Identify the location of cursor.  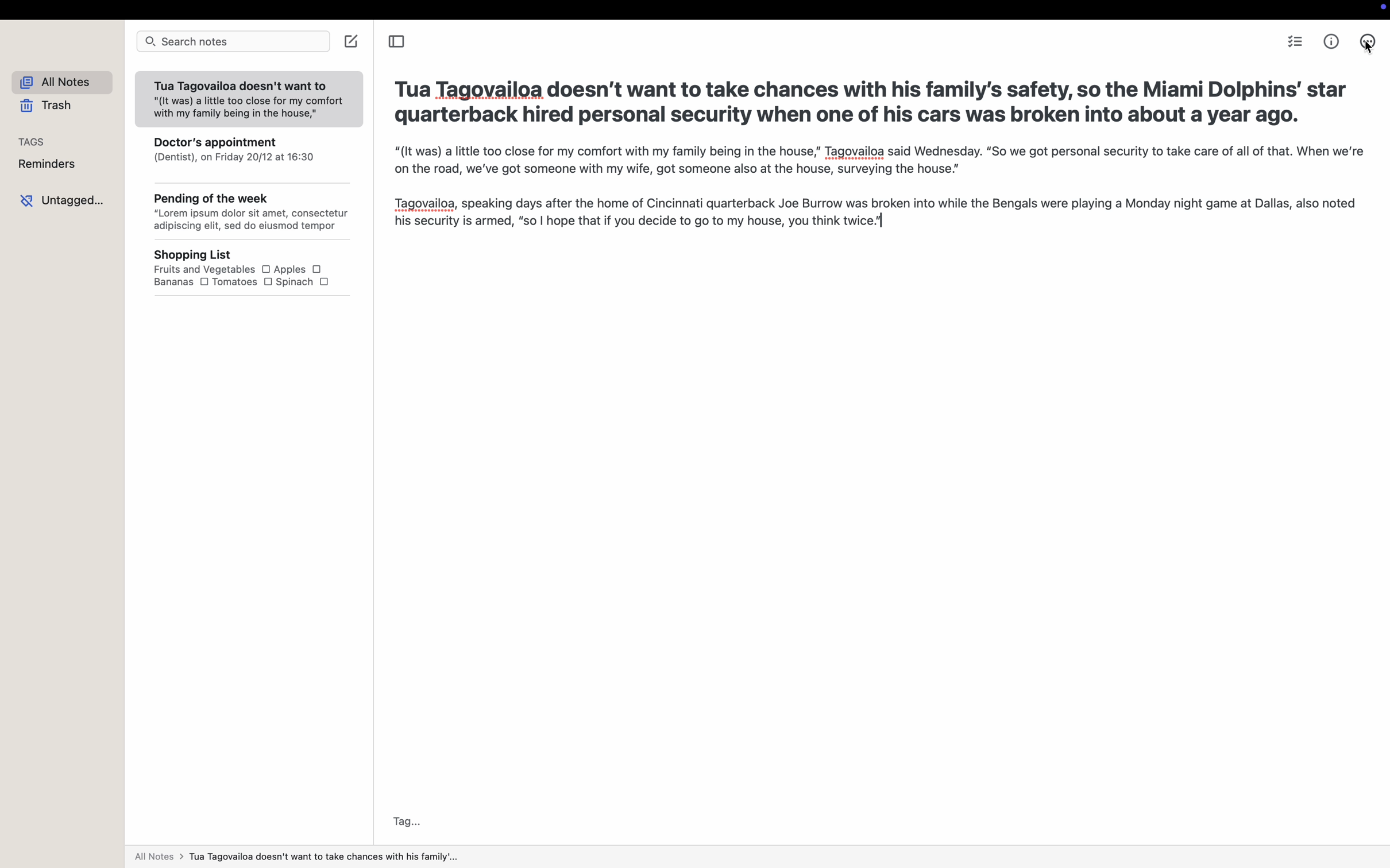
(1366, 44).